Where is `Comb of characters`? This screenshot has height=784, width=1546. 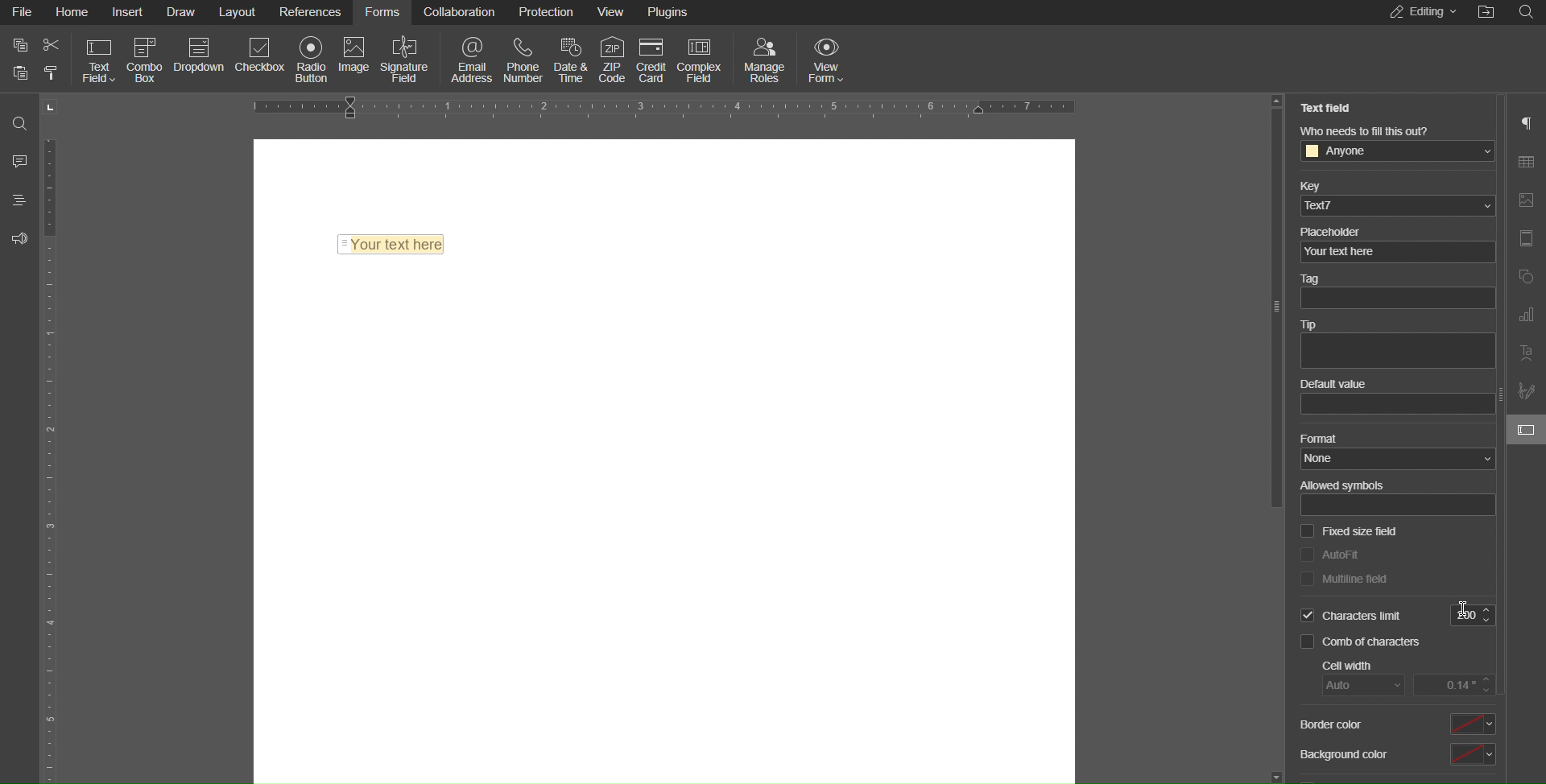 Comb of characters is located at coordinates (1365, 644).